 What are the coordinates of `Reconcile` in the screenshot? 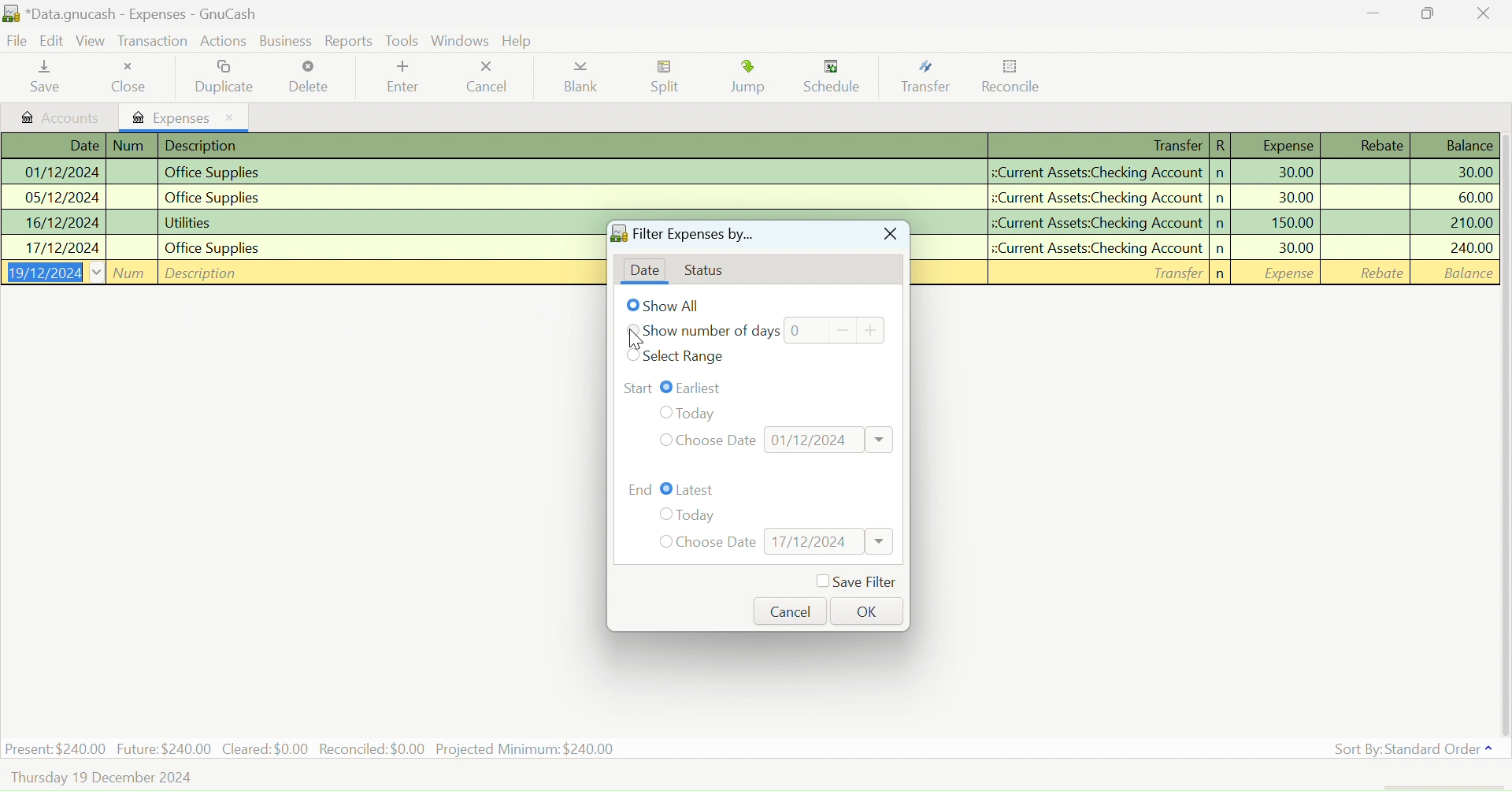 It's located at (1012, 80).